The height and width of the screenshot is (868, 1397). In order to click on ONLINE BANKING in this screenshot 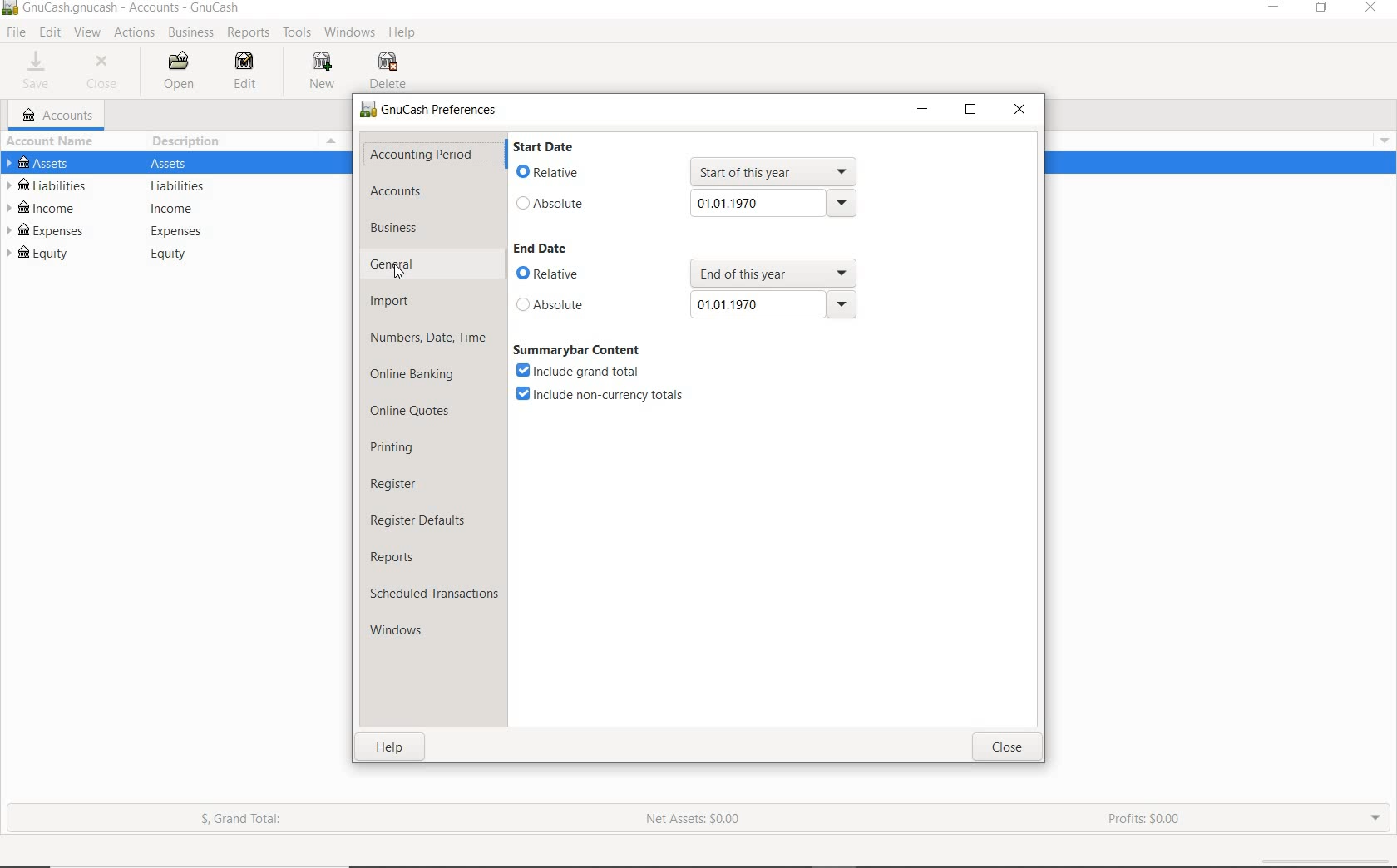, I will do `click(417, 374)`.